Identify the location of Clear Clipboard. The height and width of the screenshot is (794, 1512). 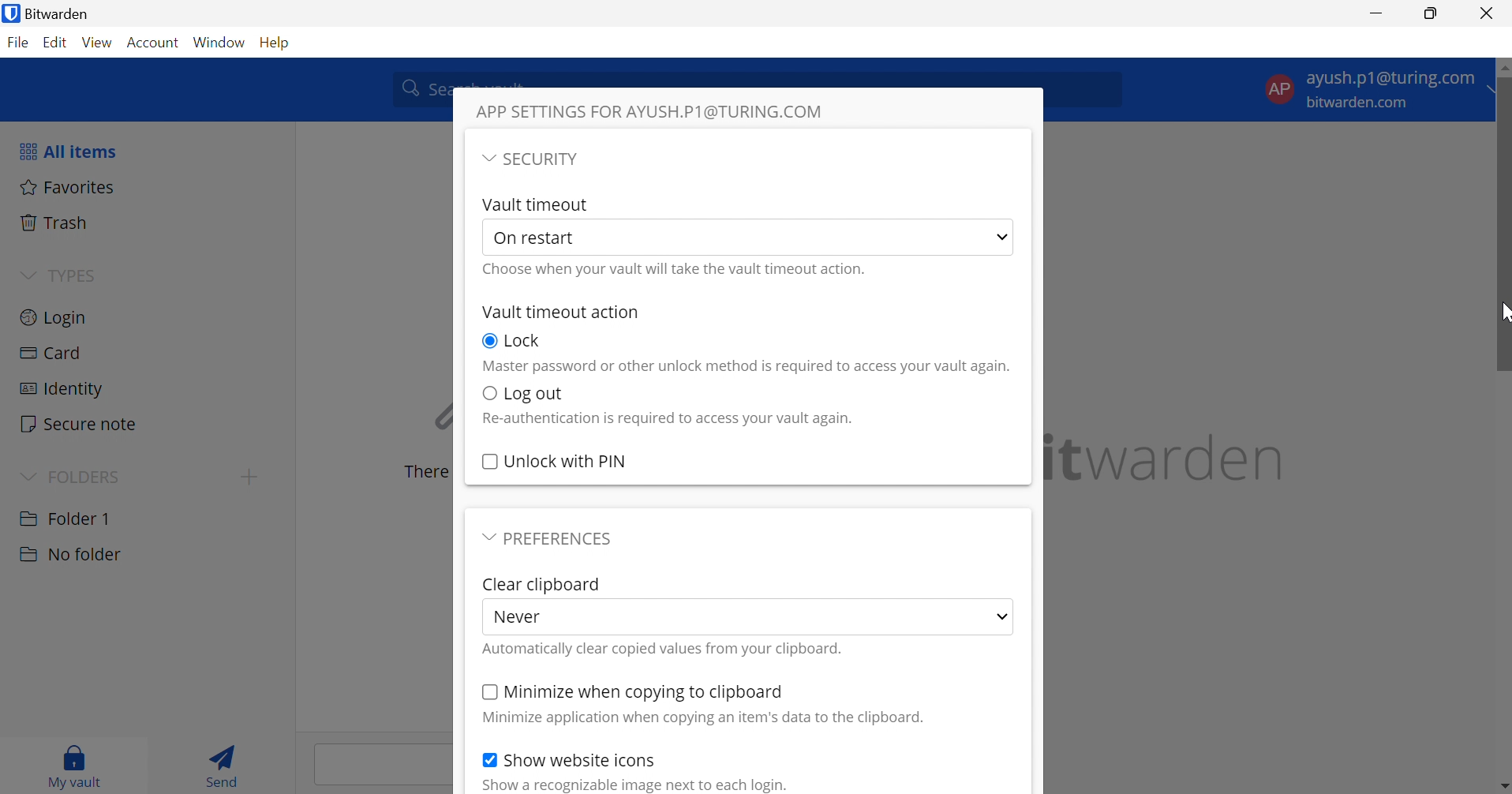
(541, 584).